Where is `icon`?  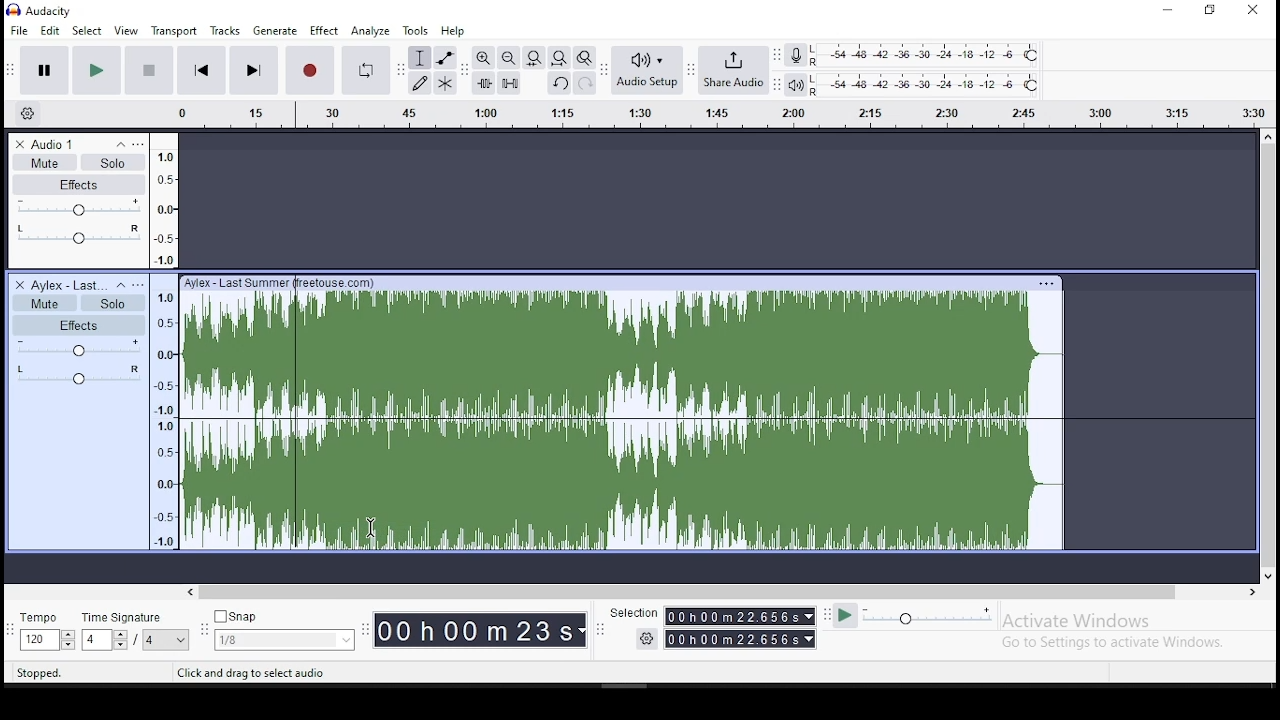
icon is located at coordinates (54, 10).